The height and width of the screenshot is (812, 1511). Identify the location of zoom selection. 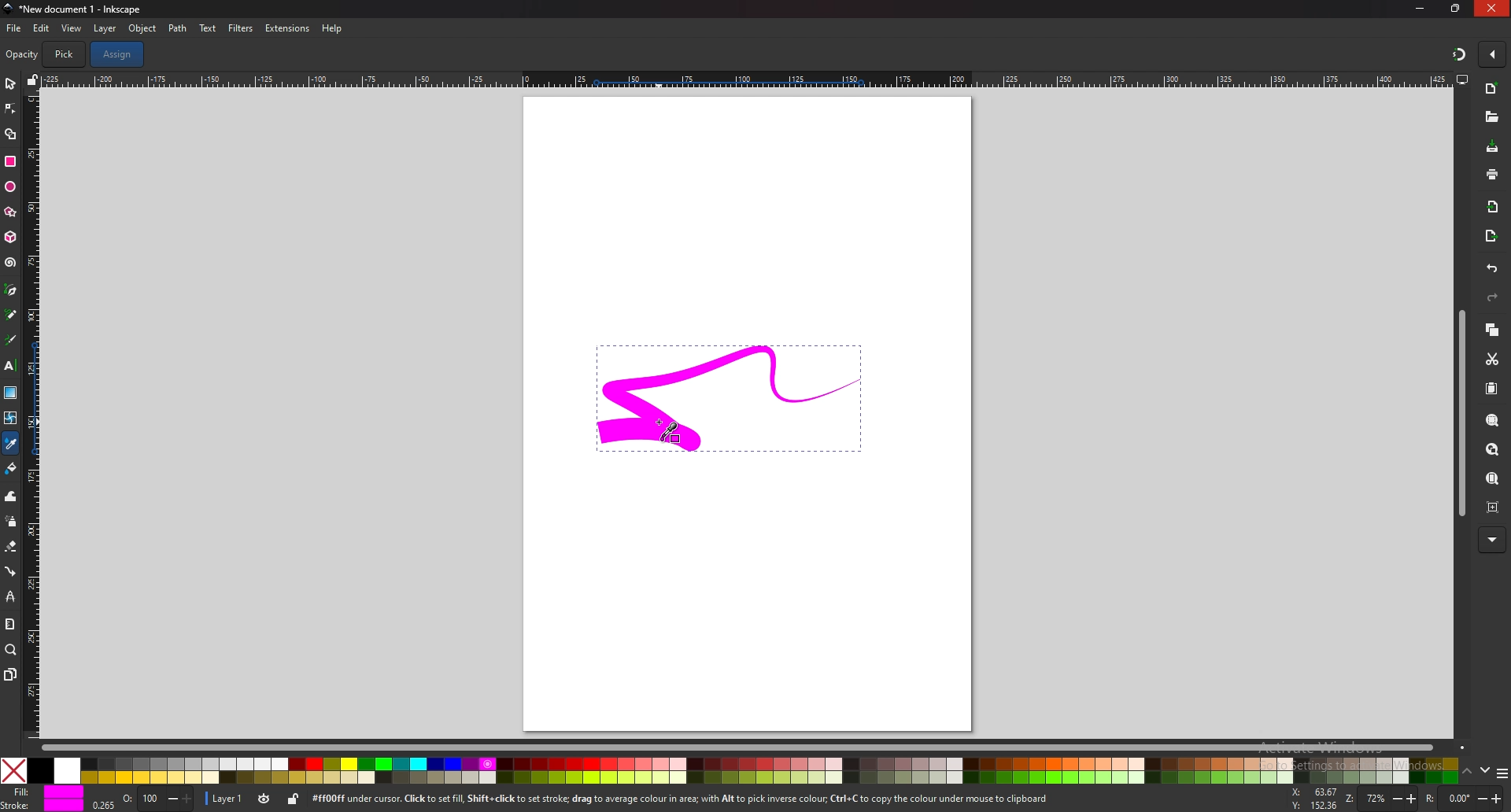
(1493, 422).